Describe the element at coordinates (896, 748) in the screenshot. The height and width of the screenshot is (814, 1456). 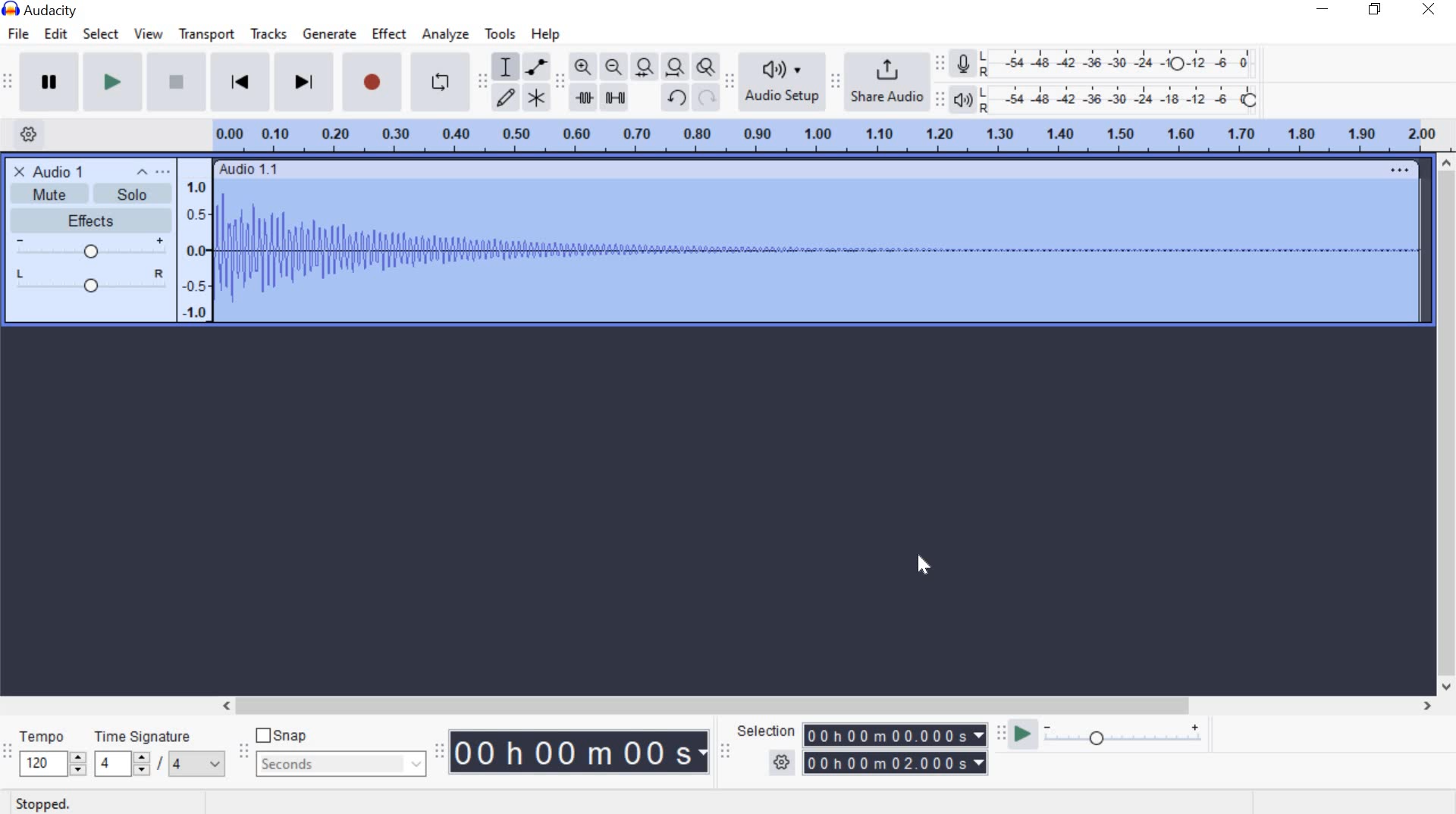
I see `selection time` at that location.